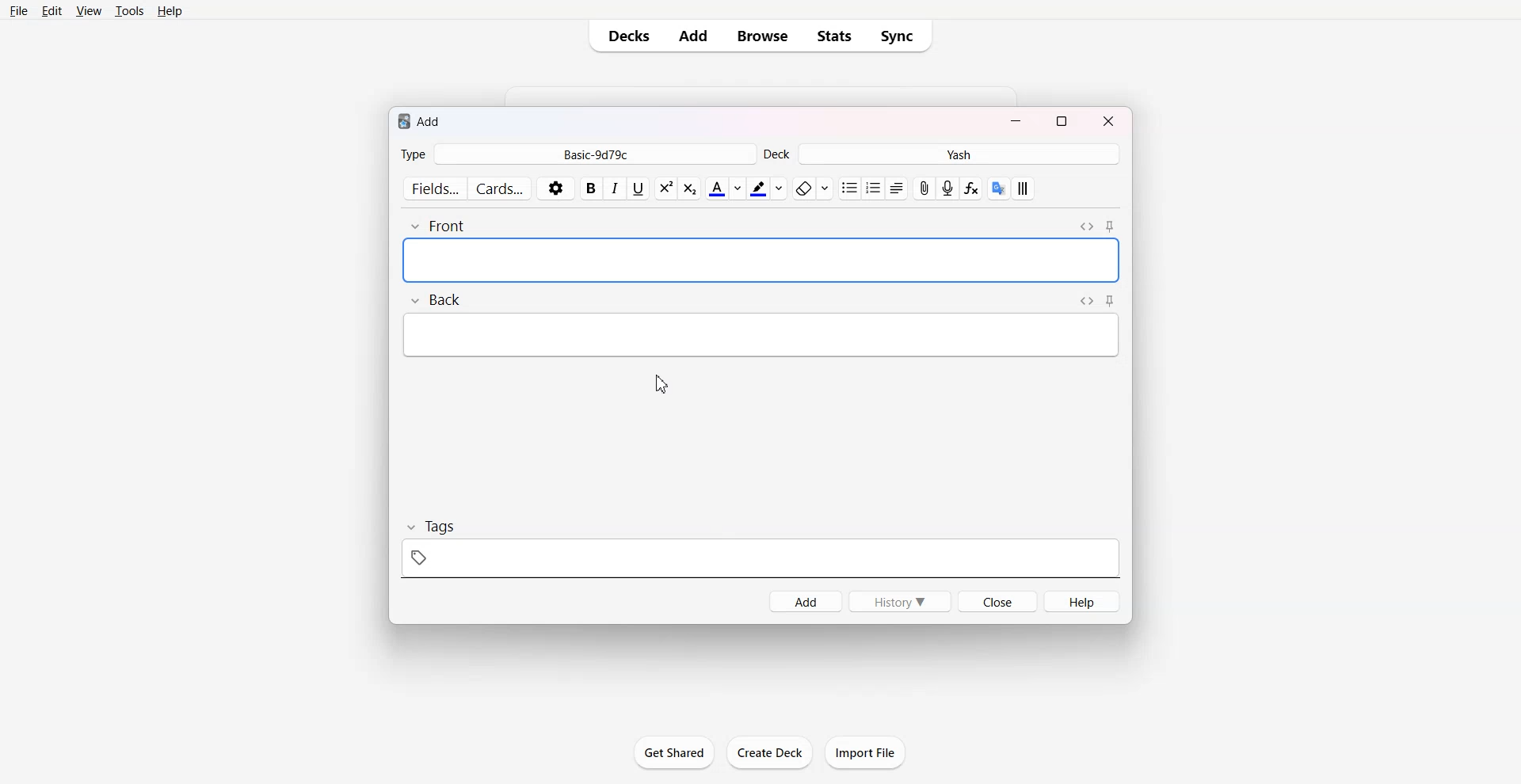  What do you see at coordinates (760, 335) in the screenshot?
I see `back input field` at bounding box center [760, 335].